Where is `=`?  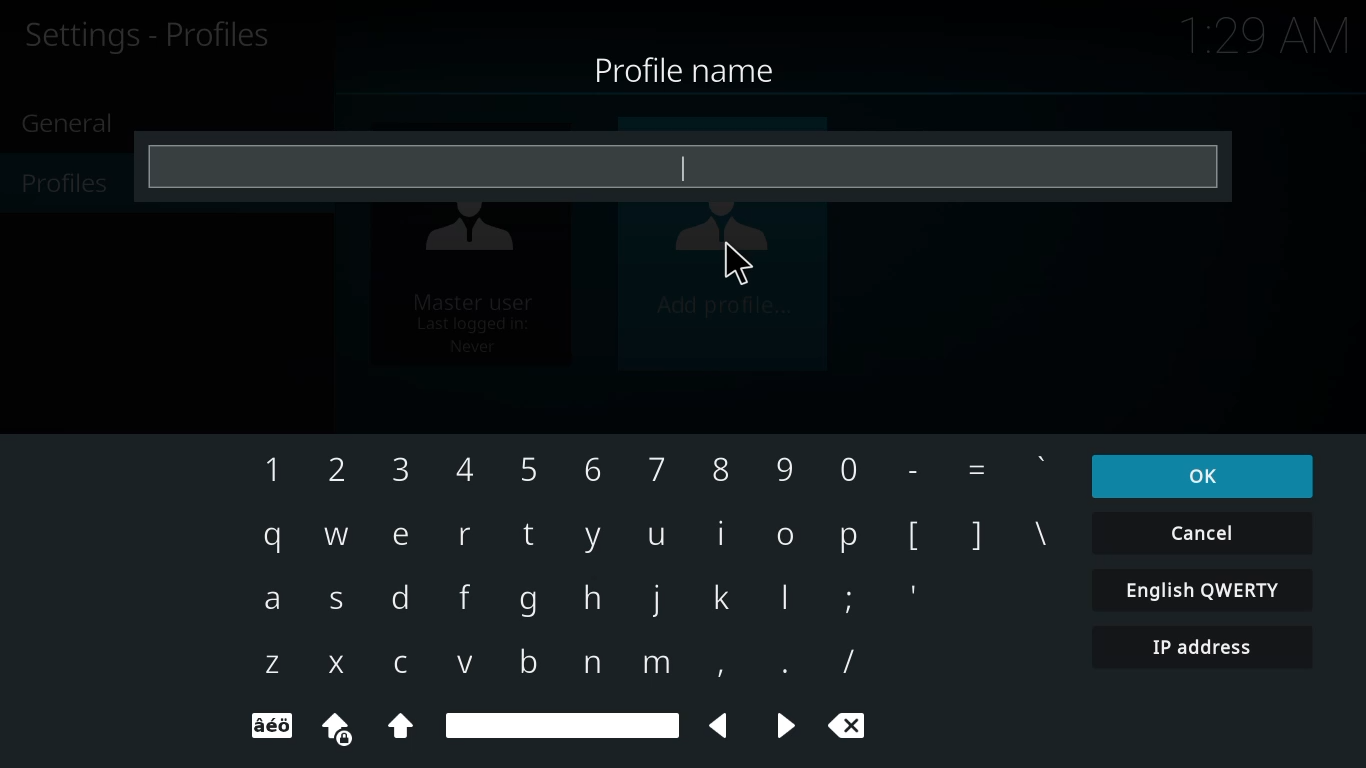
= is located at coordinates (978, 470).